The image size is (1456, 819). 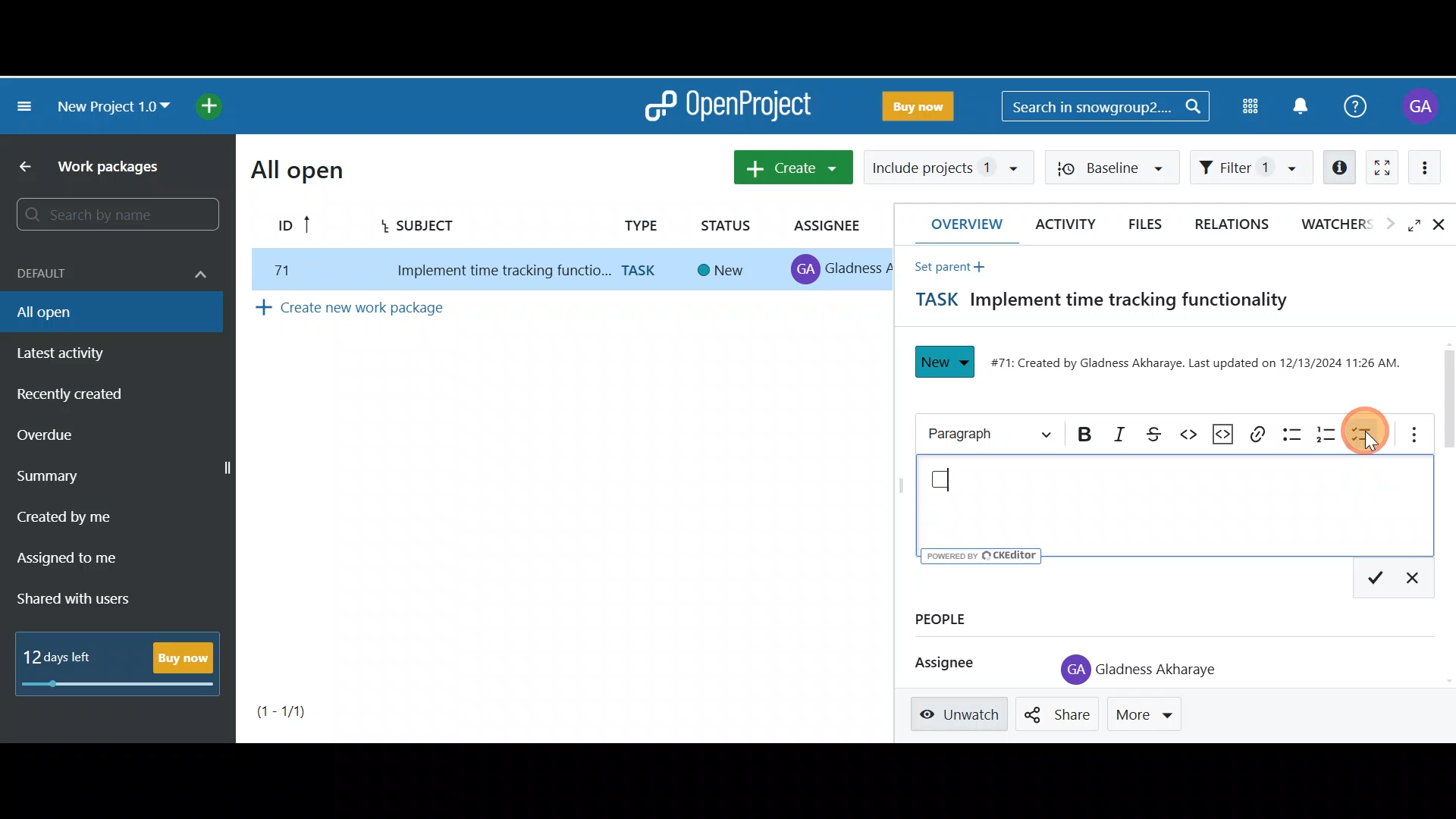 I want to click on Set parent, so click(x=945, y=266).